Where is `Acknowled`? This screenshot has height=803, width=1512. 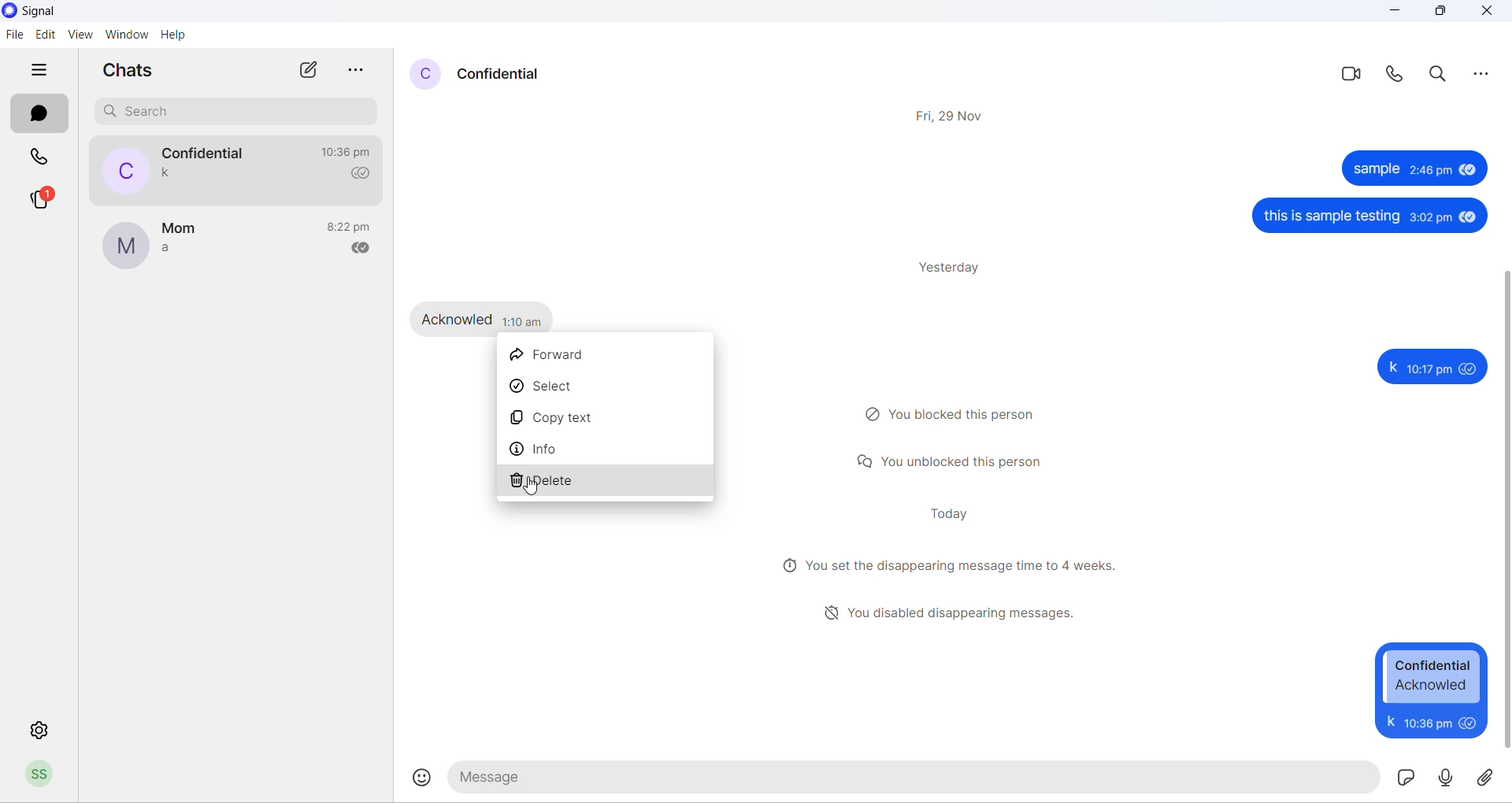 Acknowled is located at coordinates (457, 318).